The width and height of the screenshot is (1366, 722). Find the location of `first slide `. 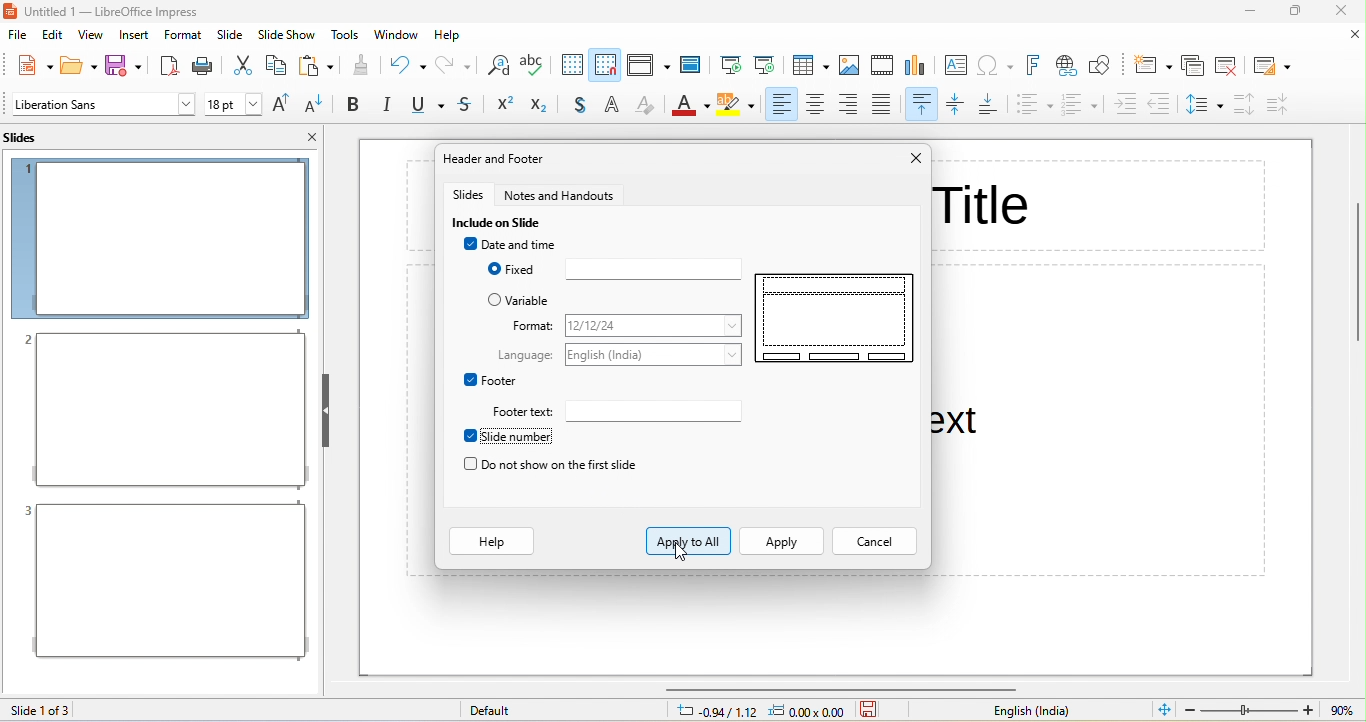

first slide  is located at coordinates (731, 61).